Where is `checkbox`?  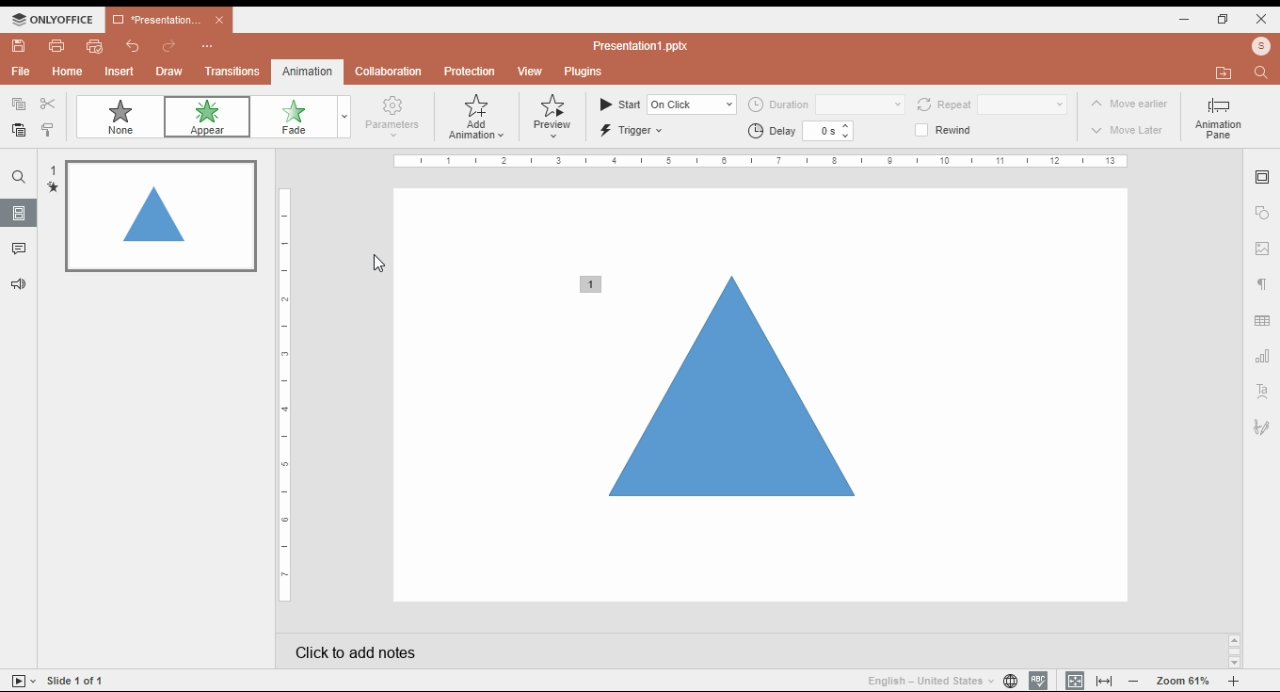
checkbox is located at coordinates (923, 130).